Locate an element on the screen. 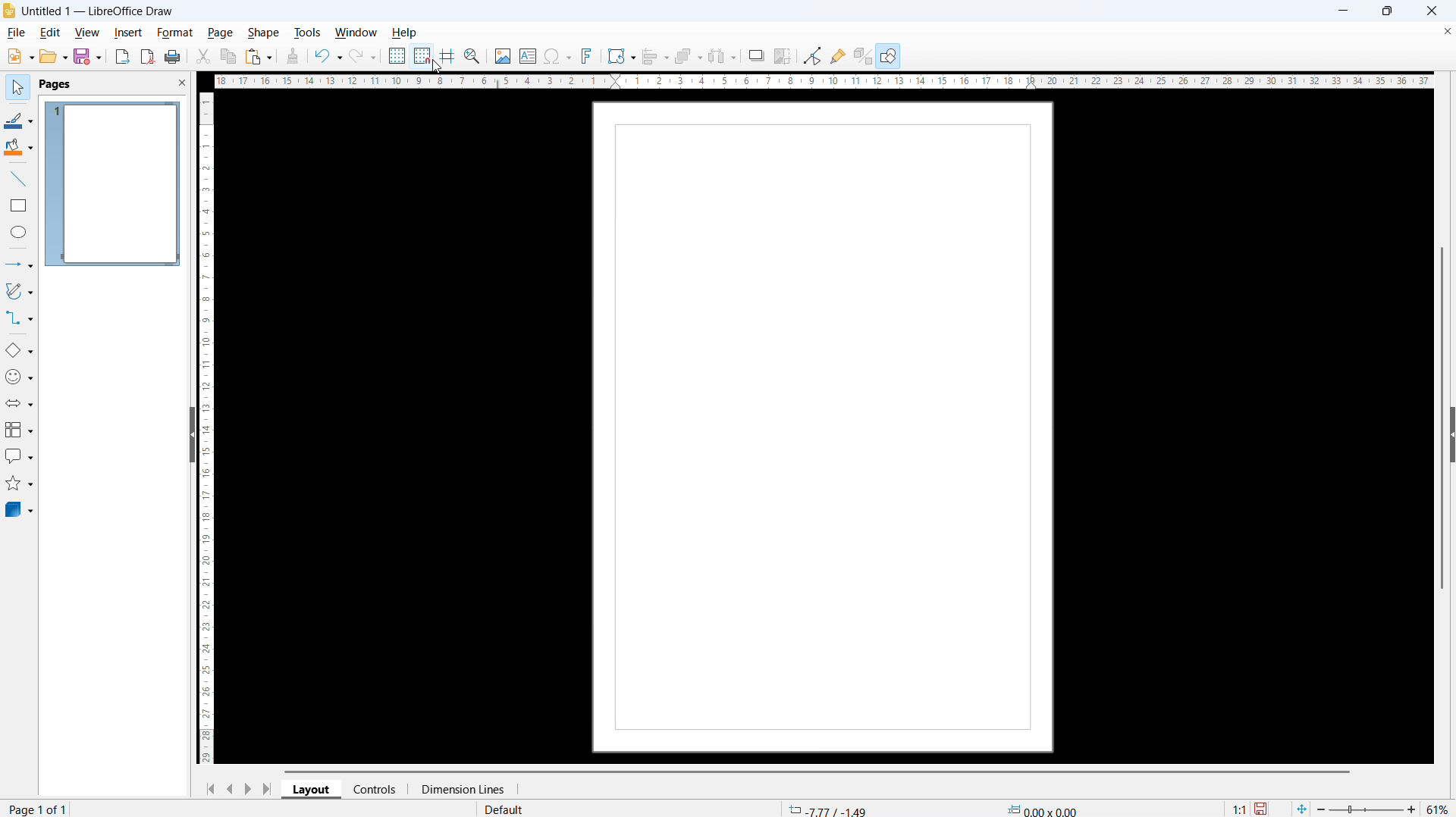  line tool is located at coordinates (20, 178).